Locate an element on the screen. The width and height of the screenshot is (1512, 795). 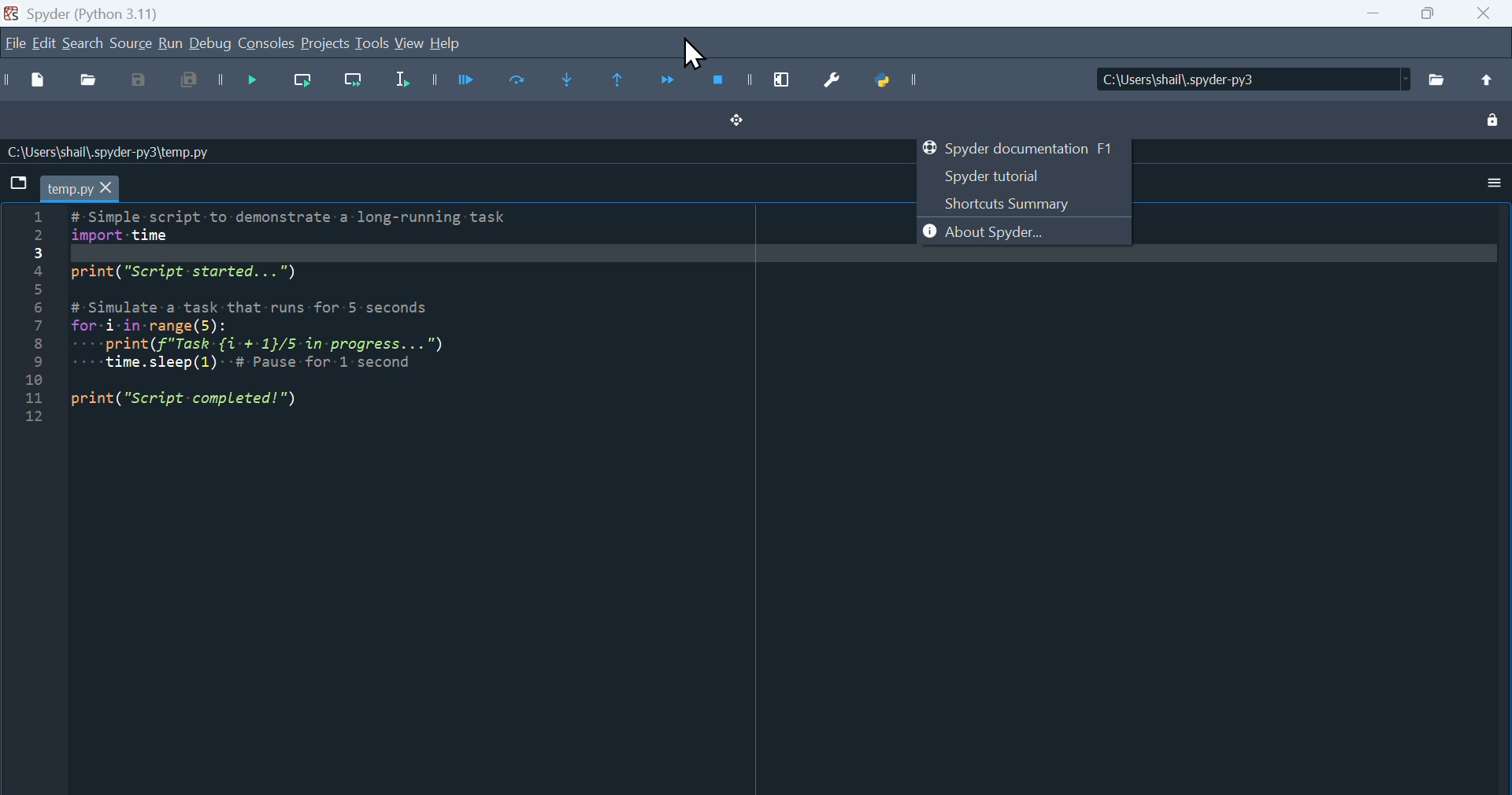
Upload file is located at coordinates (1492, 81).